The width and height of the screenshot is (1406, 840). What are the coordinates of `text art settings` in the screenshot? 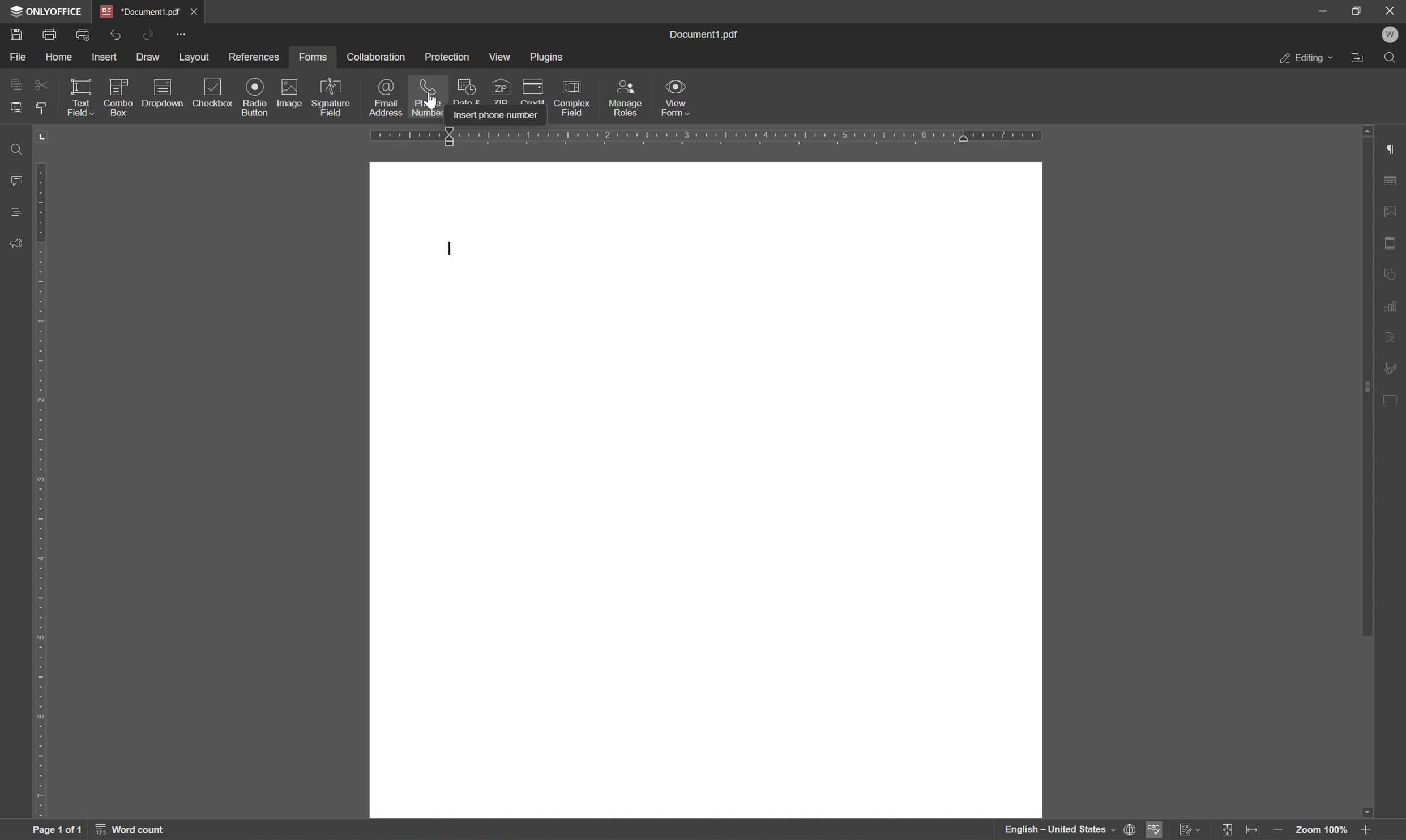 It's located at (1395, 336).